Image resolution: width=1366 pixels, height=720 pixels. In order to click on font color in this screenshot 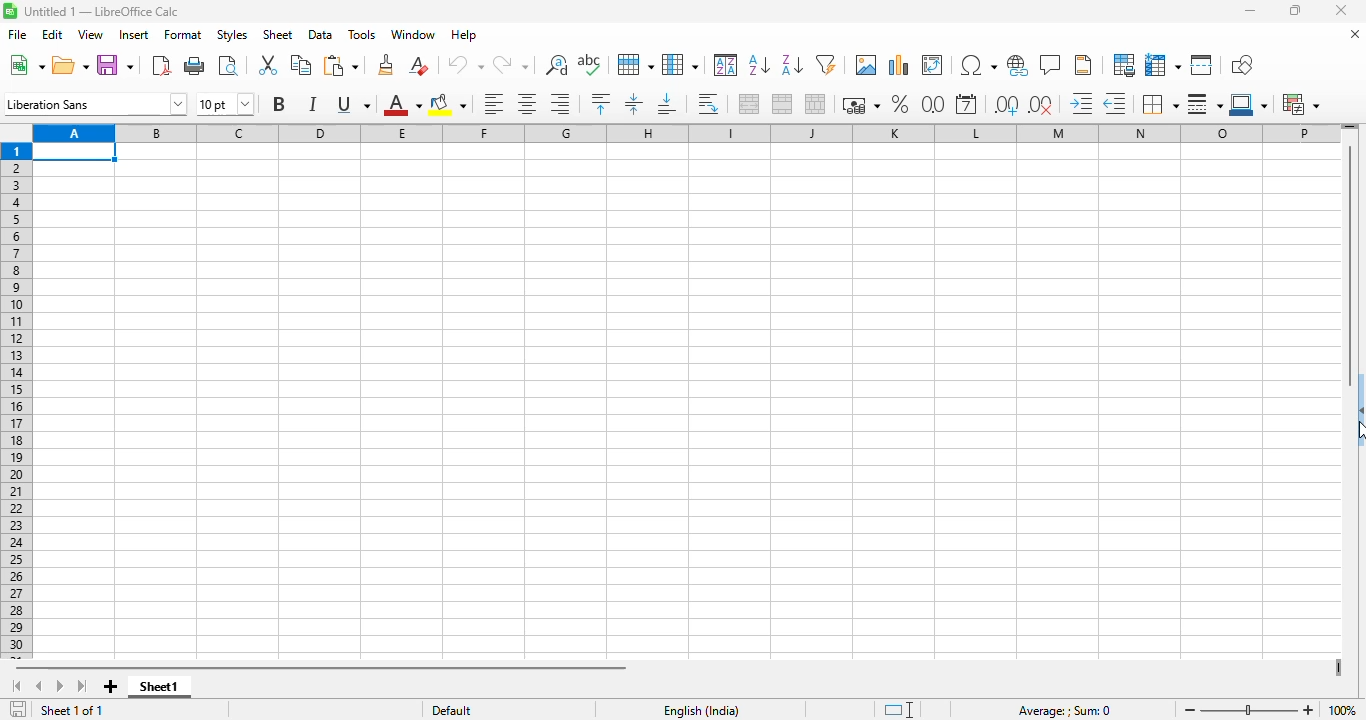, I will do `click(403, 104)`.